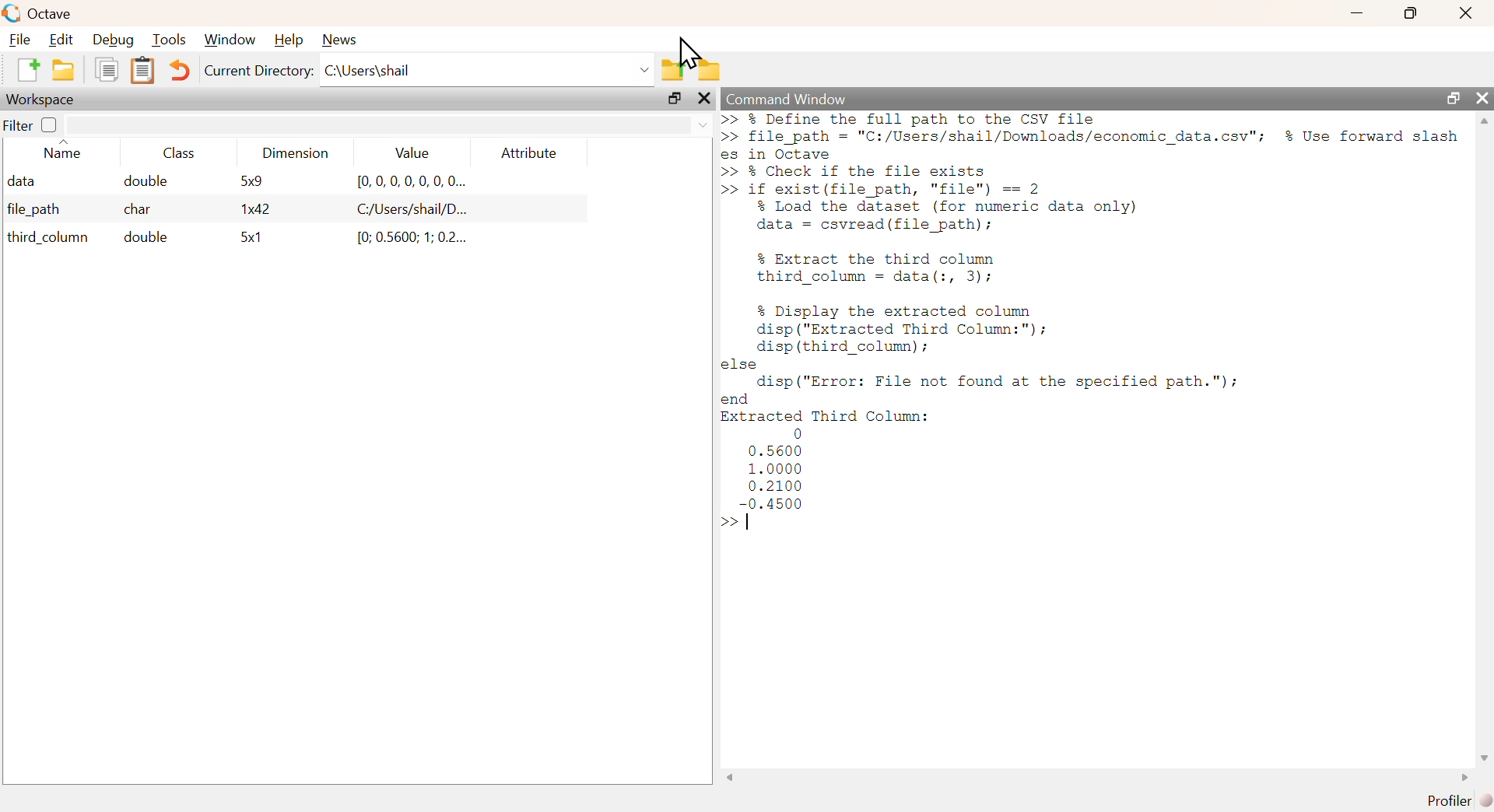 Image resolution: width=1494 pixels, height=812 pixels. I want to click on checkbox, so click(51, 126).